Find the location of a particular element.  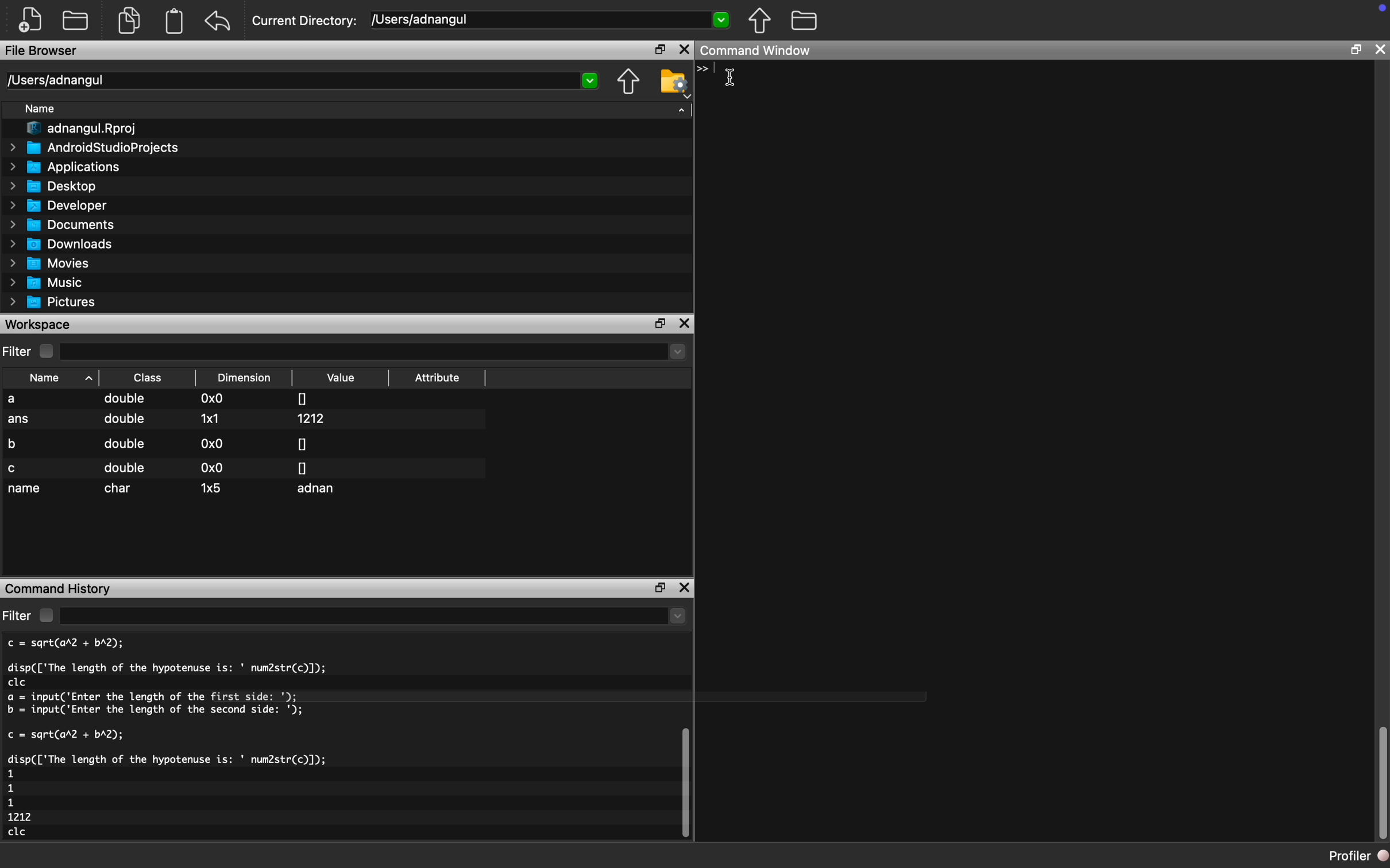

0 is located at coordinates (303, 397).